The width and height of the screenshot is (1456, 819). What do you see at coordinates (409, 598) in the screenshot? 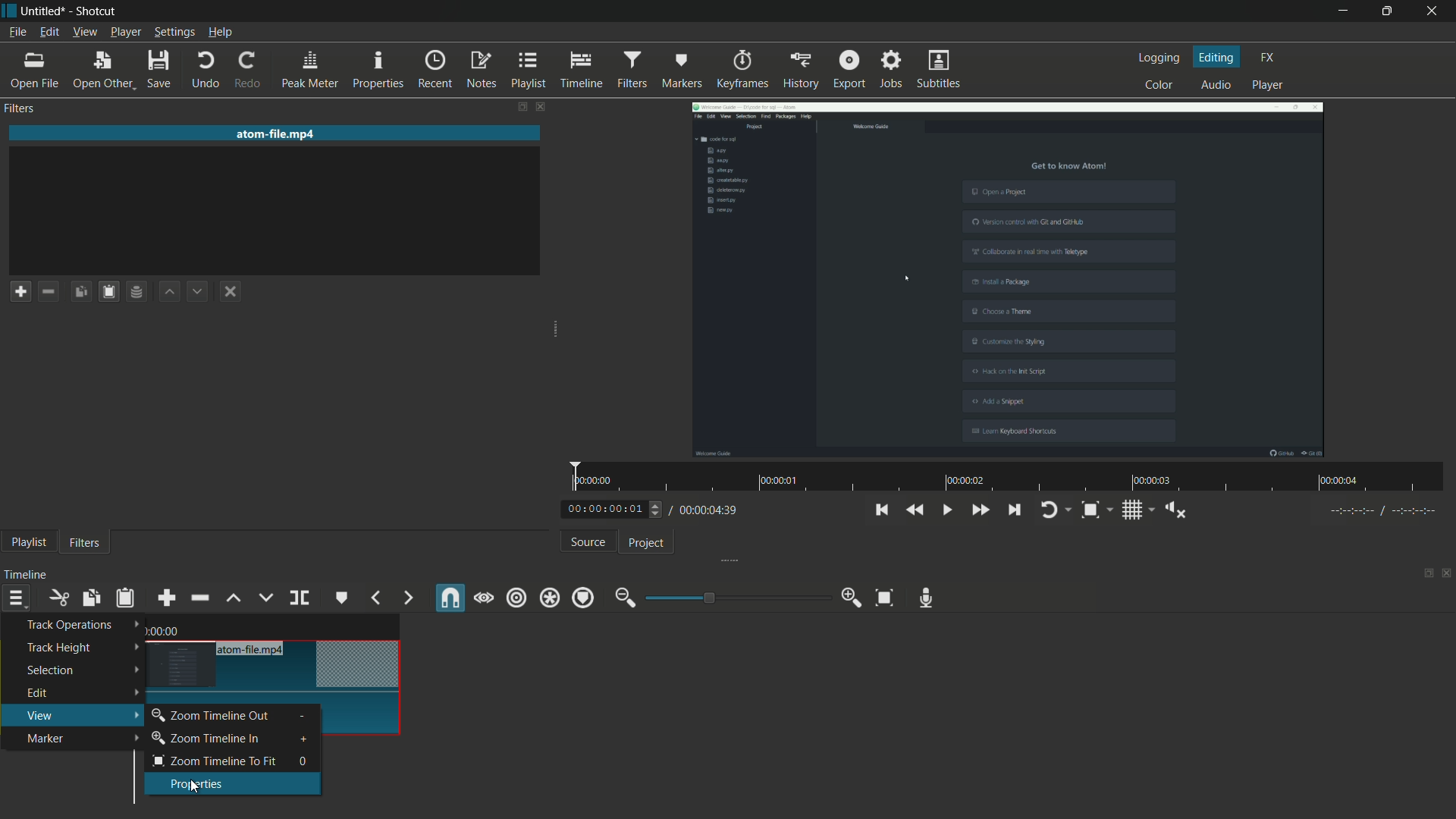
I see `next marker` at bounding box center [409, 598].